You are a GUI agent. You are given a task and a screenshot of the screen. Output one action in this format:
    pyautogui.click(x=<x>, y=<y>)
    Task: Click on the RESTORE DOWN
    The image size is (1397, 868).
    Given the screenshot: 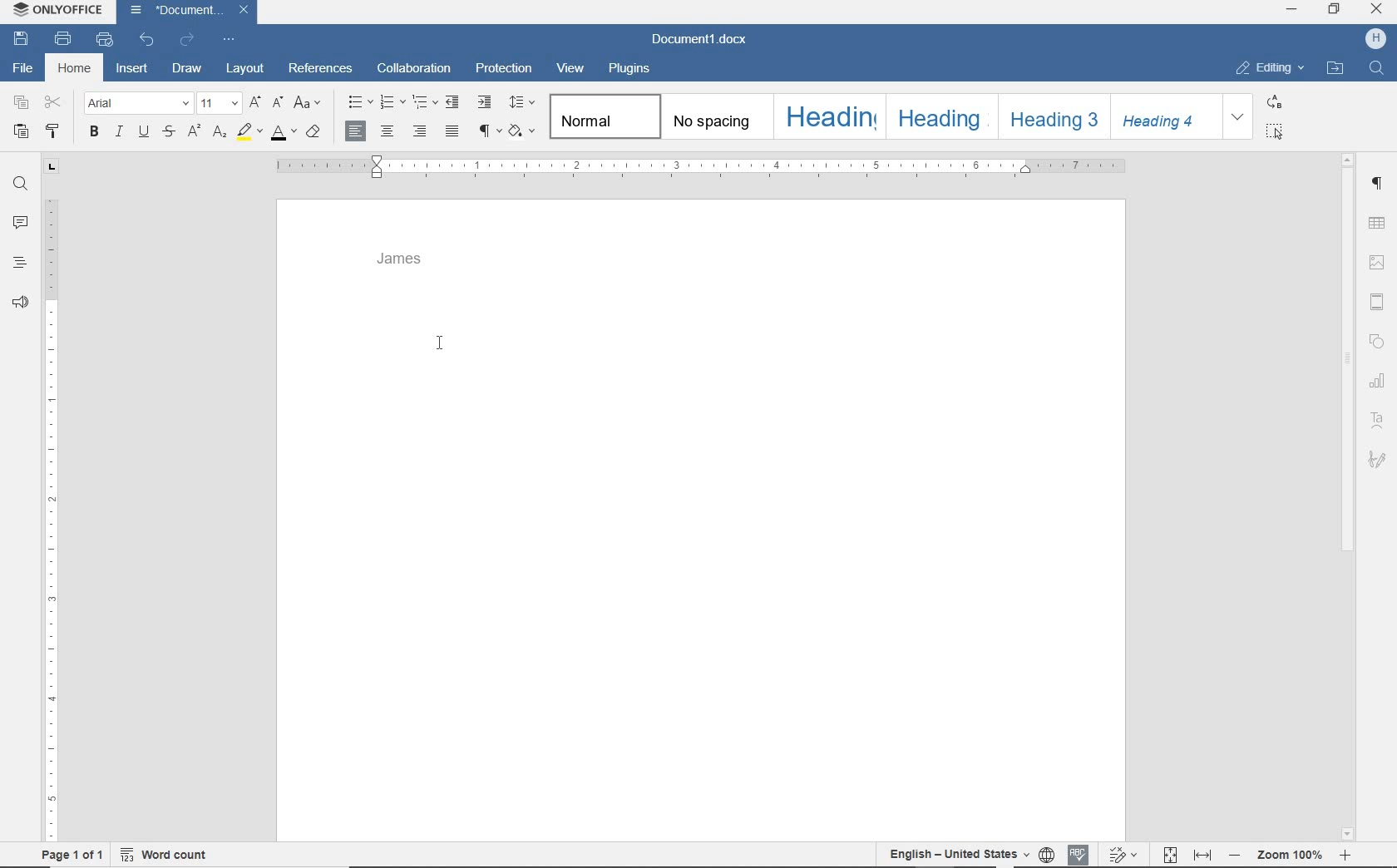 What is the action you would take?
    pyautogui.click(x=1335, y=9)
    